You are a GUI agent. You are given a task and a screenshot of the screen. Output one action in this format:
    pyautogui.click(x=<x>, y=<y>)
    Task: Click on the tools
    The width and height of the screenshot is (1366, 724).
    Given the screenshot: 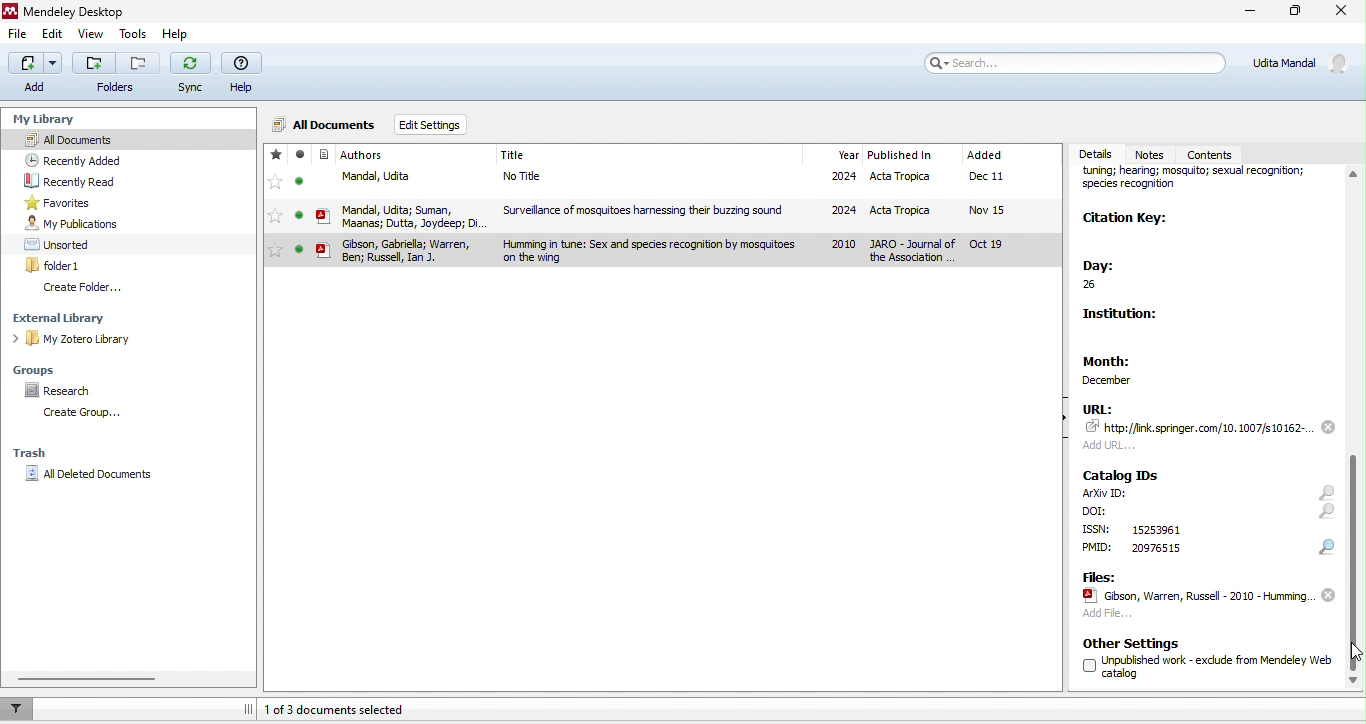 What is the action you would take?
    pyautogui.click(x=134, y=36)
    